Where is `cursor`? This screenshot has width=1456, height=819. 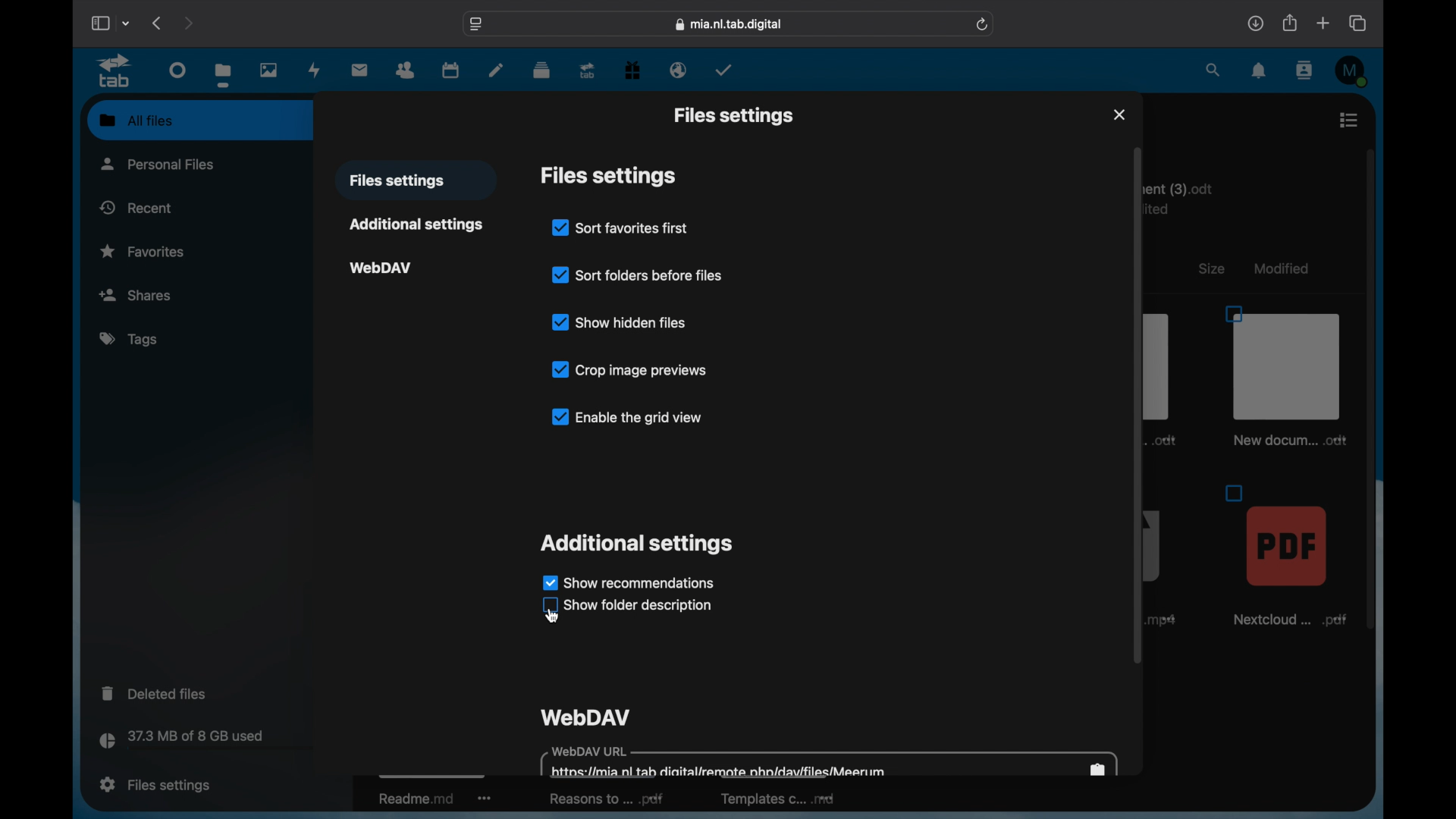
cursor is located at coordinates (551, 617).